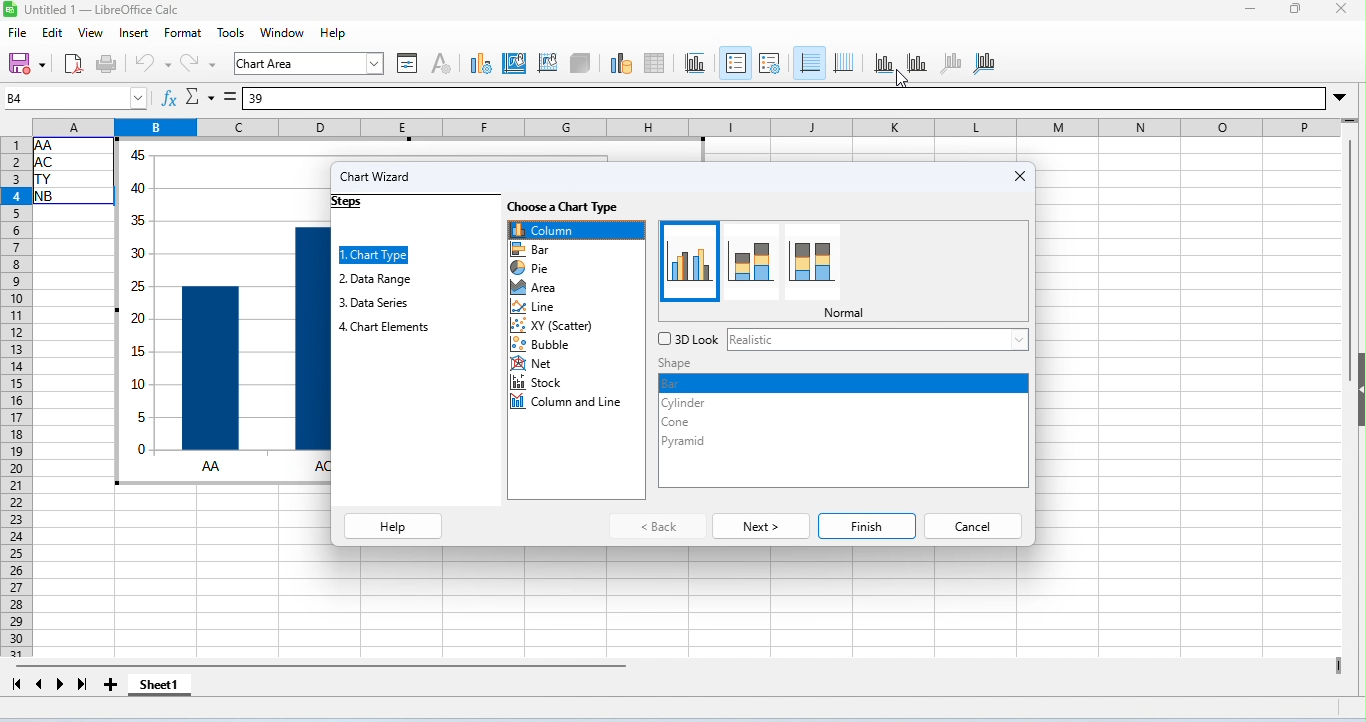 The width and height of the screenshot is (1366, 722). What do you see at coordinates (1352, 125) in the screenshot?
I see `drag to view rows` at bounding box center [1352, 125].